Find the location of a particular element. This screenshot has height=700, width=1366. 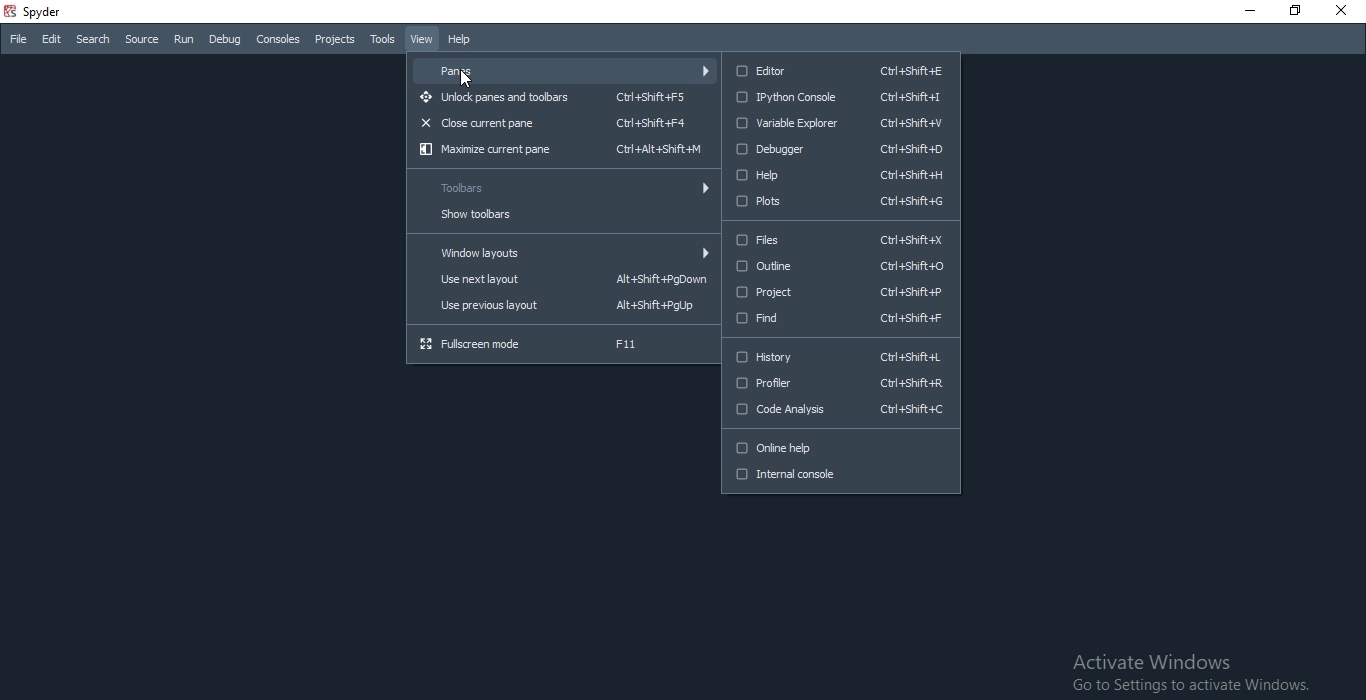

Debugger is located at coordinates (840, 150).